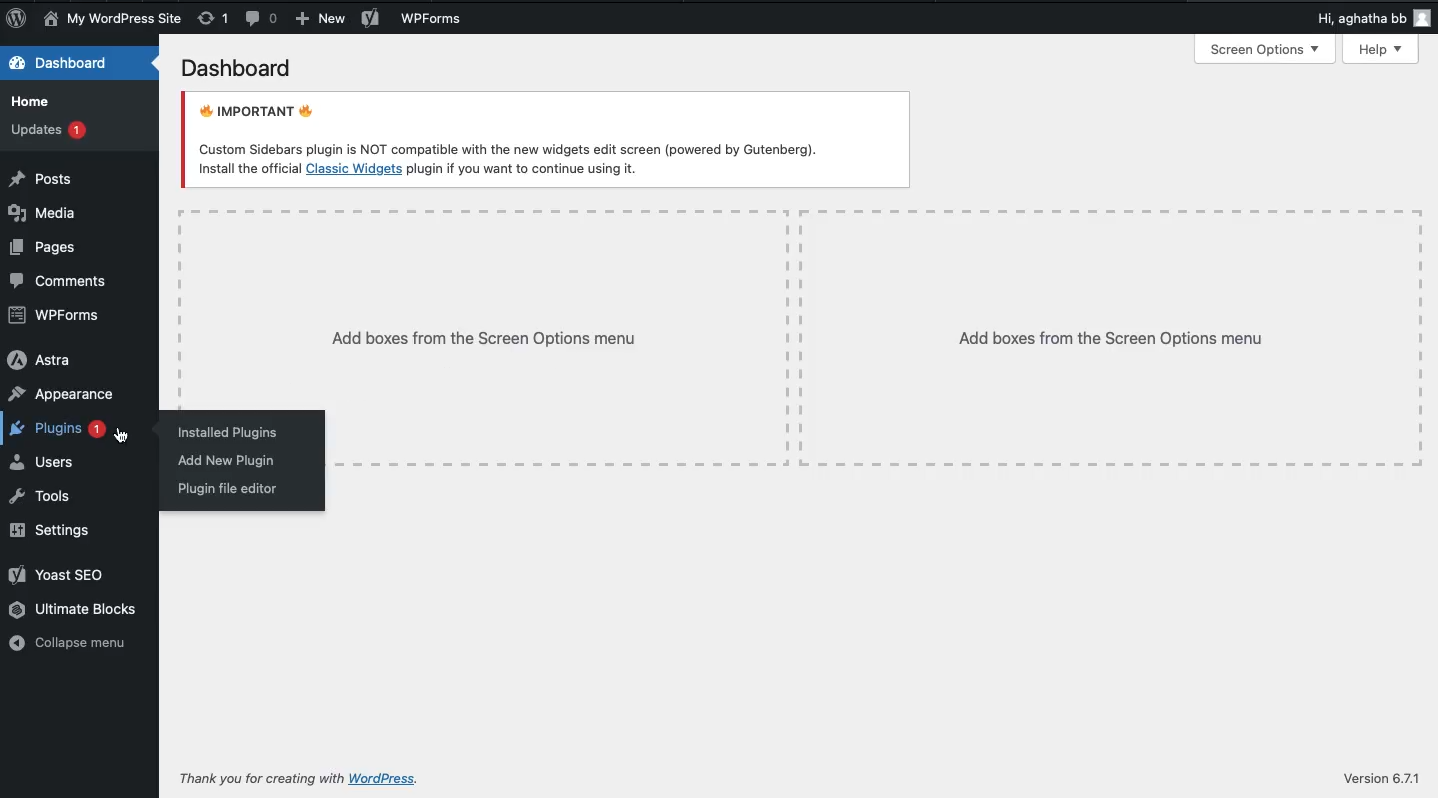  What do you see at coordinates (433, 20) in the screenshot?
I see `WPForms` at bounding box center [433, 20].